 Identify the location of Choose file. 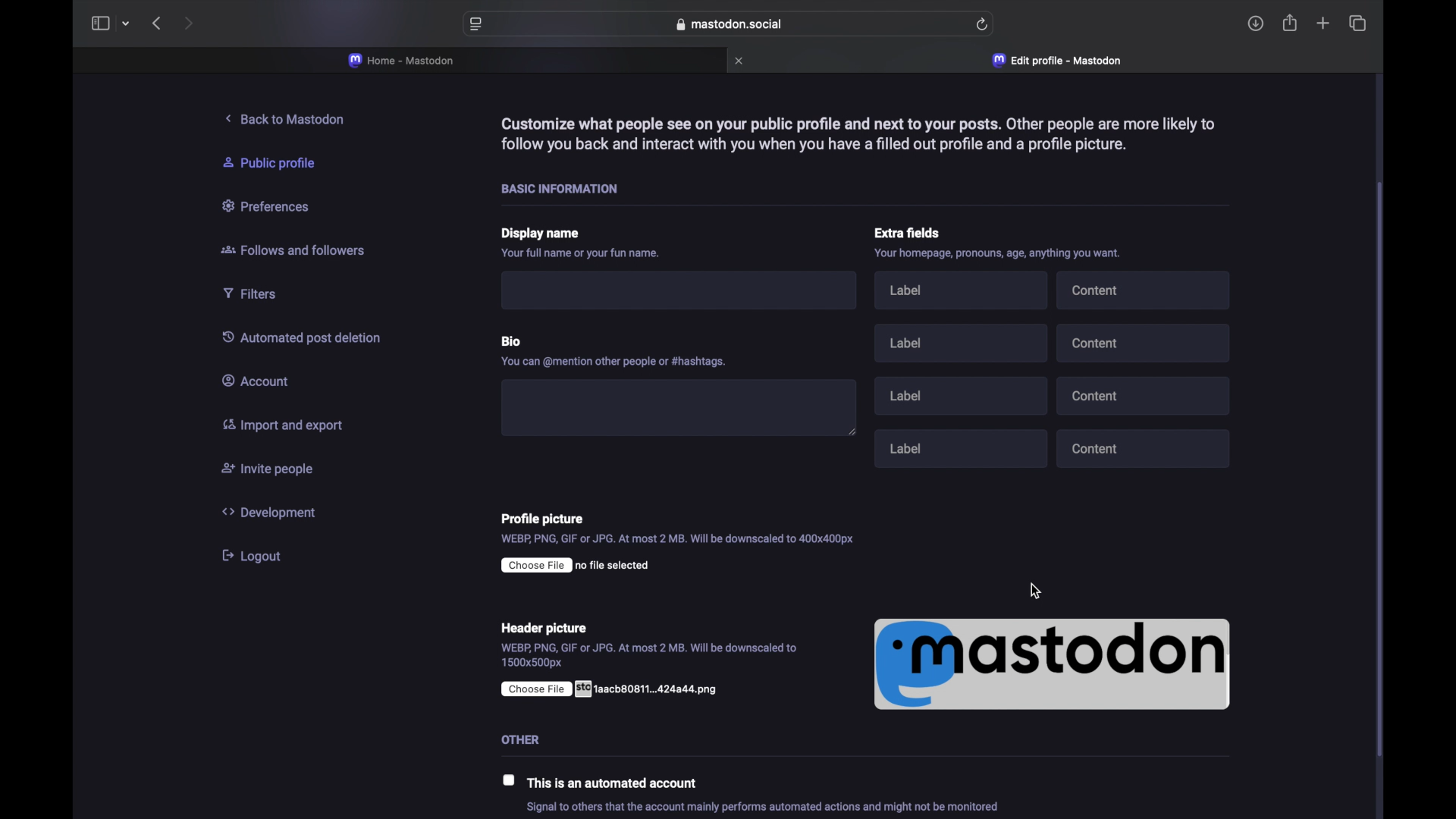
(613, 688).